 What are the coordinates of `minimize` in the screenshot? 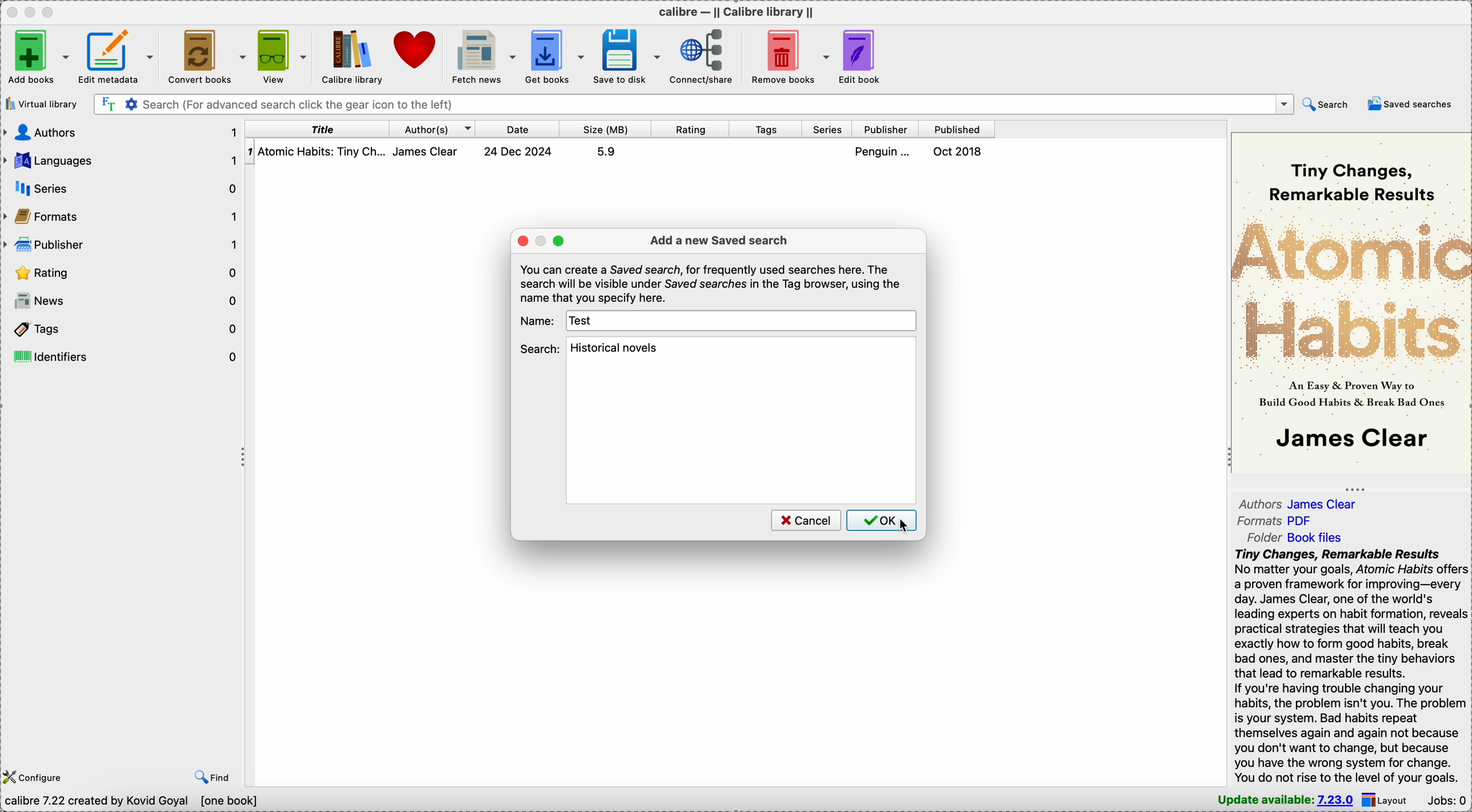 It's located at (542, 241).